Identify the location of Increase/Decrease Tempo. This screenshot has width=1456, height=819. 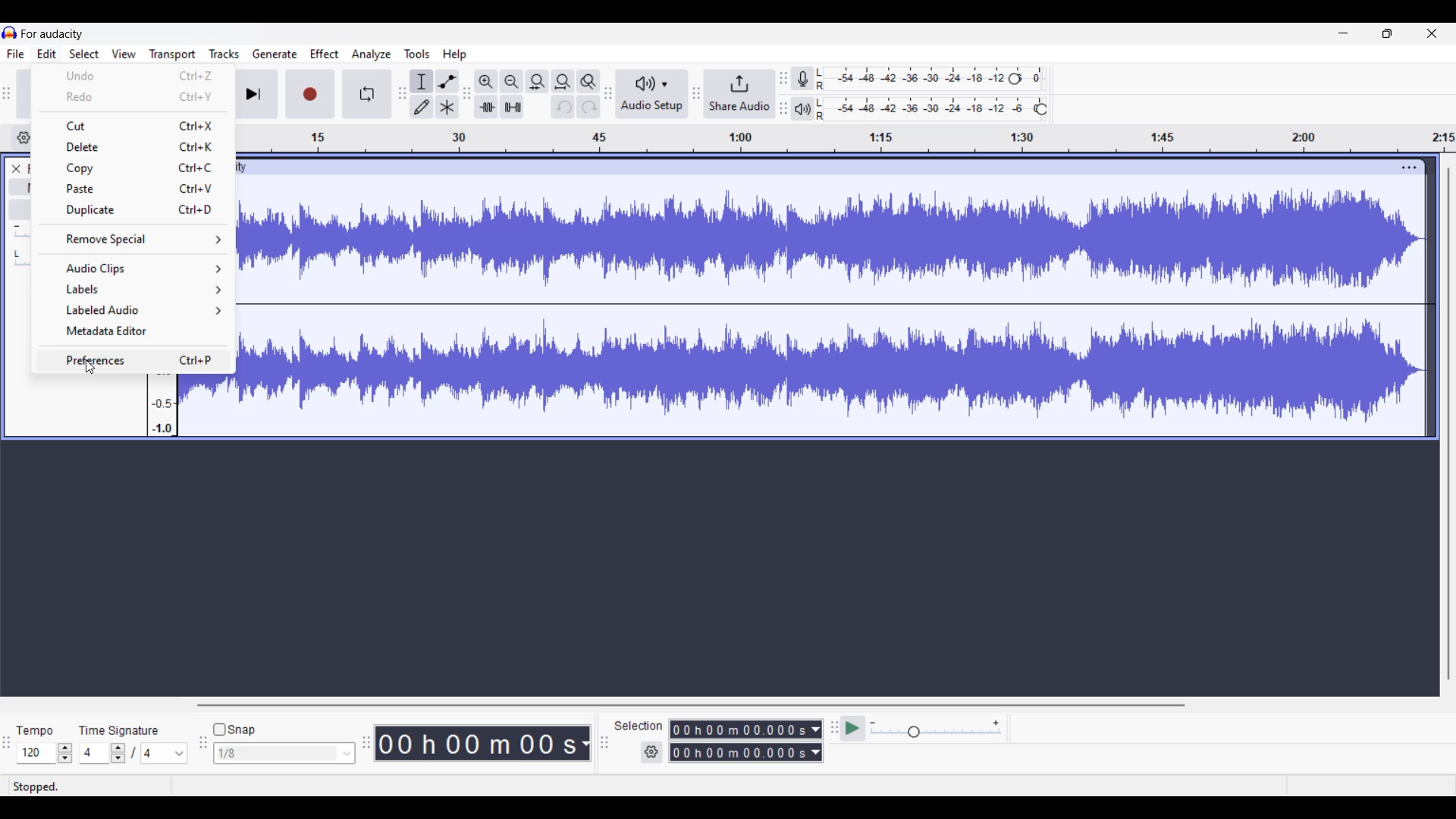
(64, 753).